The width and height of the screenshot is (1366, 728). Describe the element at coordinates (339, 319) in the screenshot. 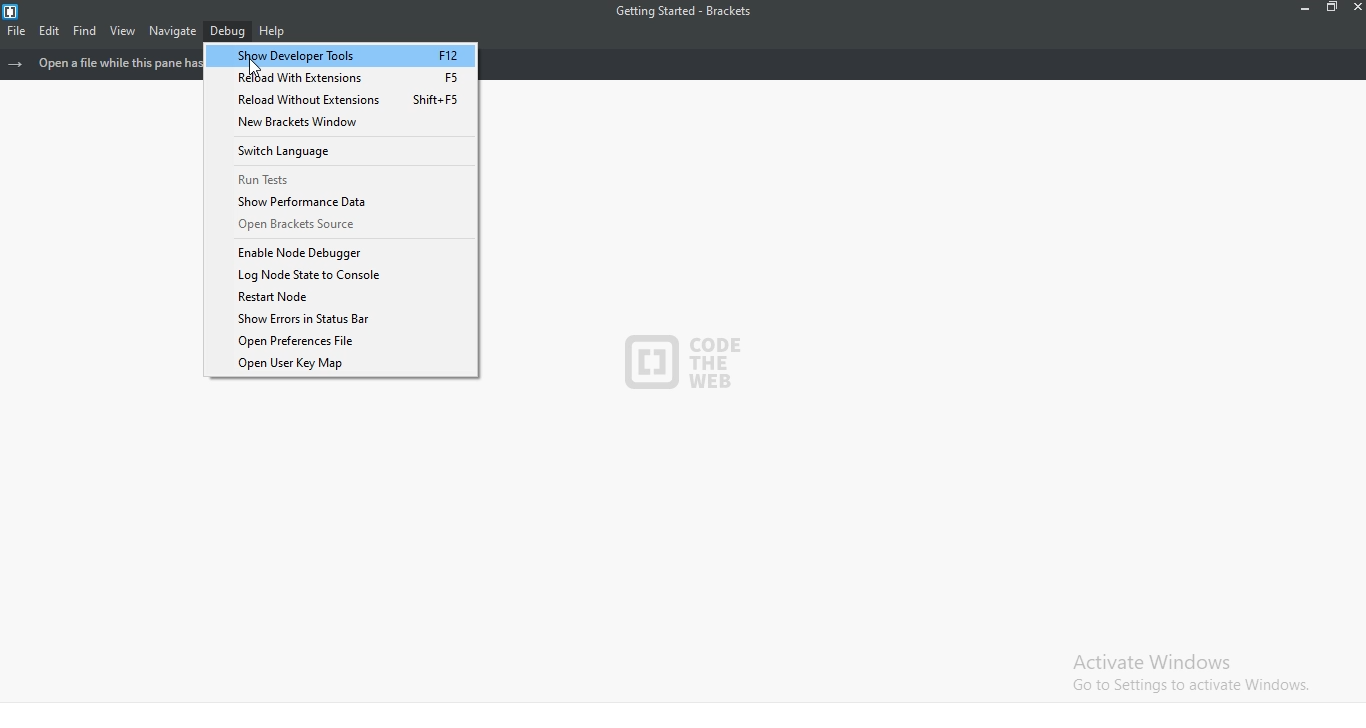

I see `Show Errors in Status Bar` at that location.